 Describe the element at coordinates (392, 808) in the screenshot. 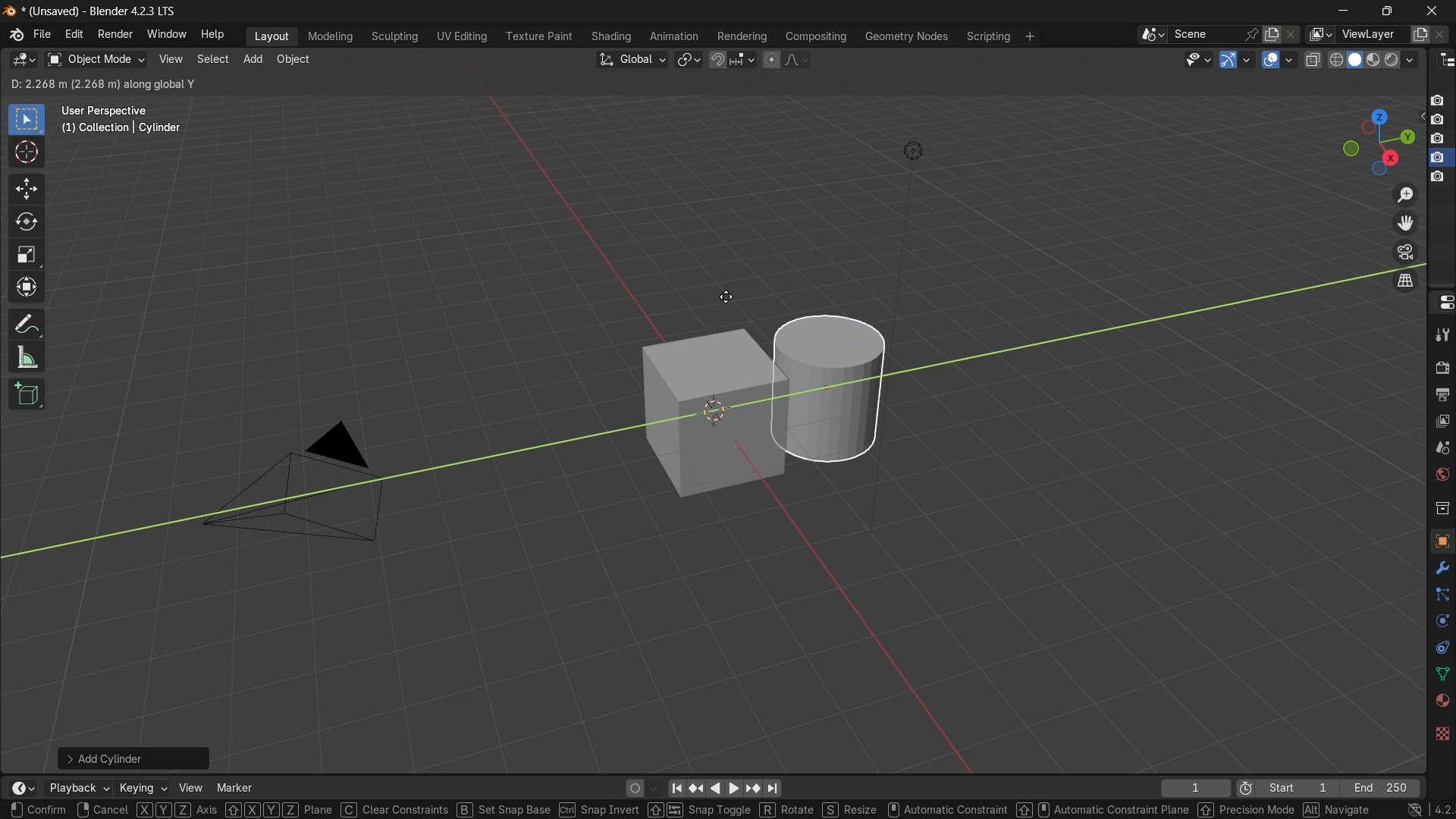

I see `clear constraints` at that location.